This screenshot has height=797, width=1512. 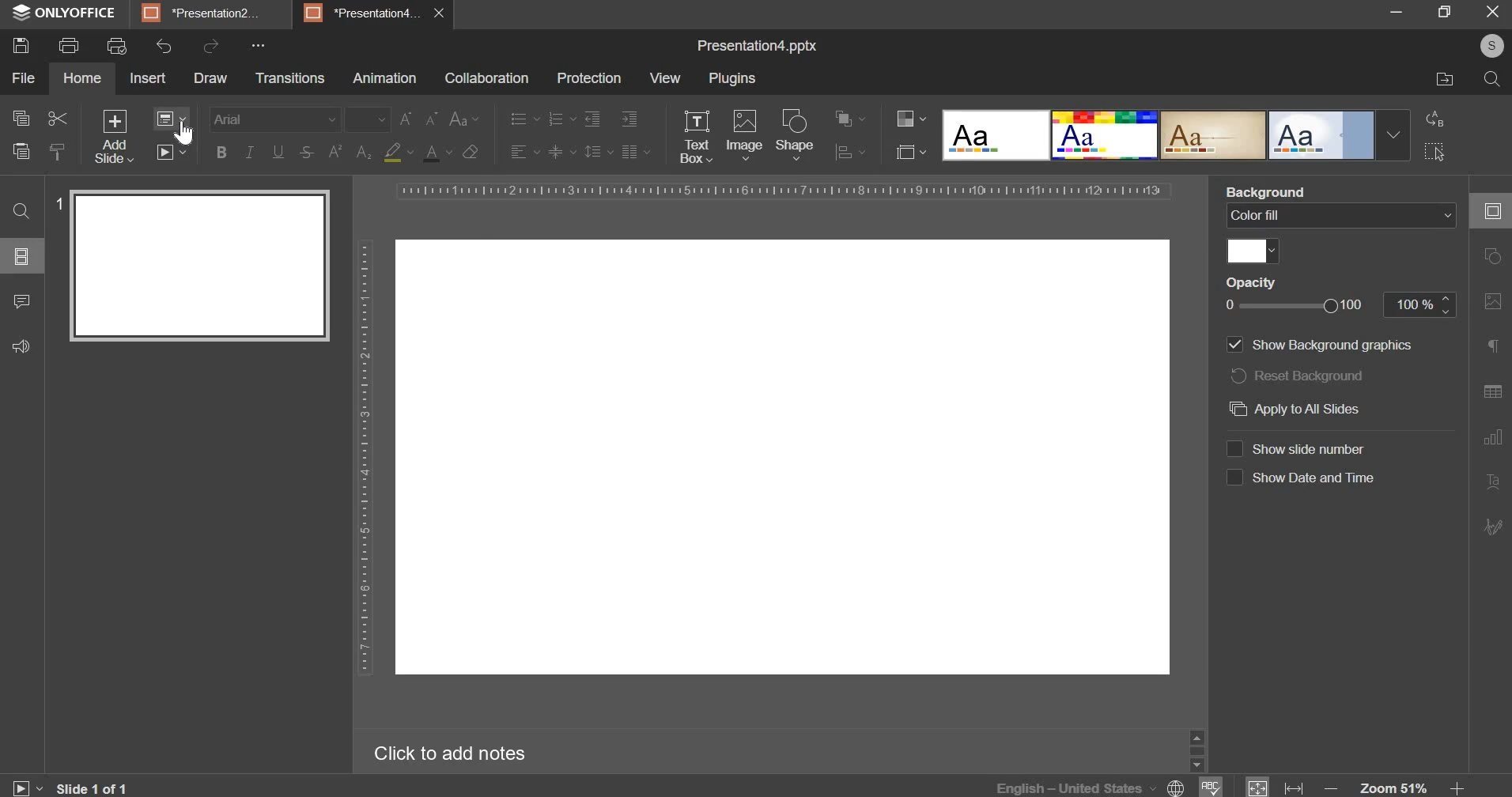 What do you see at coordinates (1435, 119) in the screenshot?
I see `replace` at bounding box center [1435, 119].